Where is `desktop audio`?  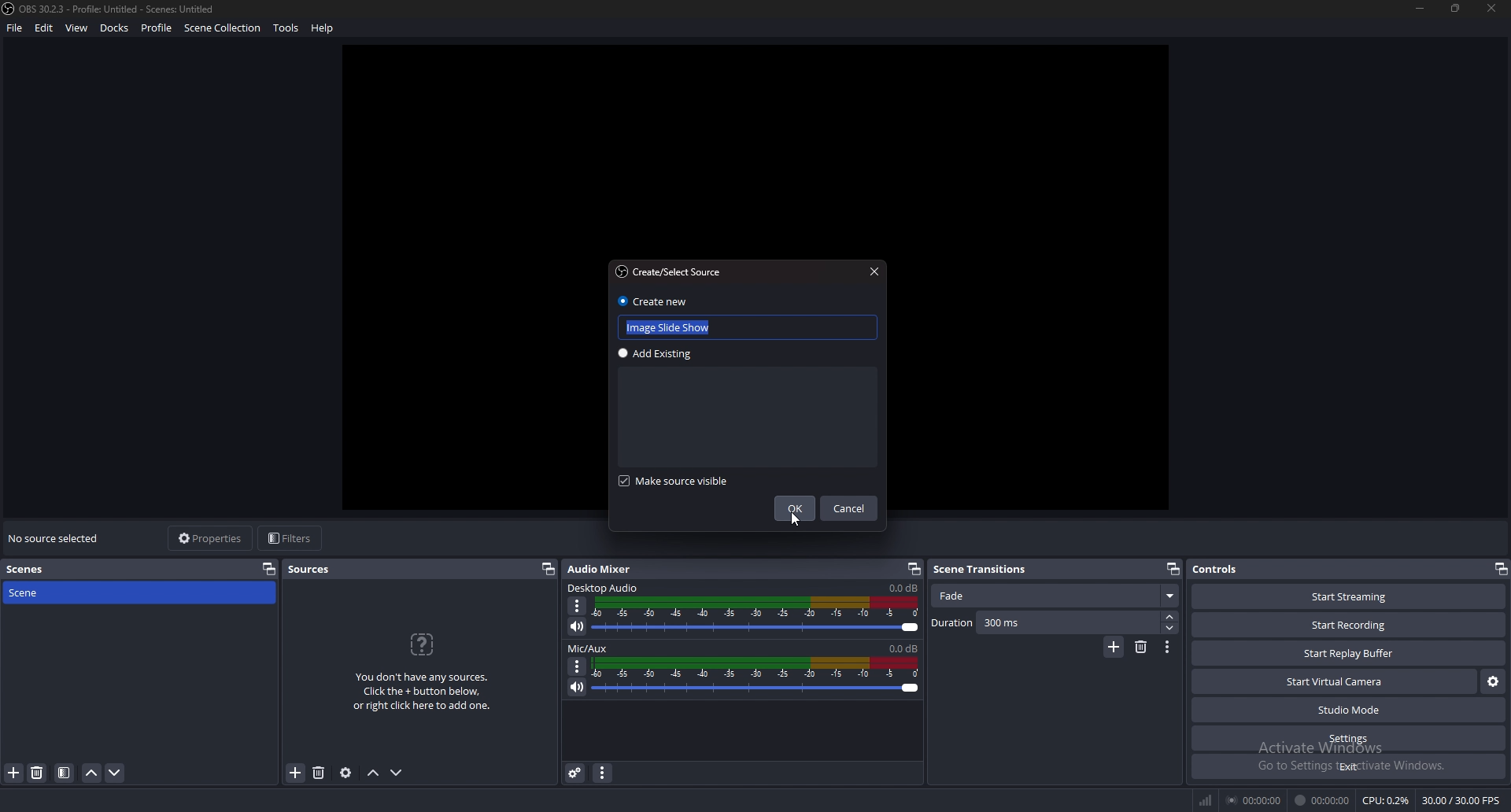
desktop audio is located at coordinates (604, 588).